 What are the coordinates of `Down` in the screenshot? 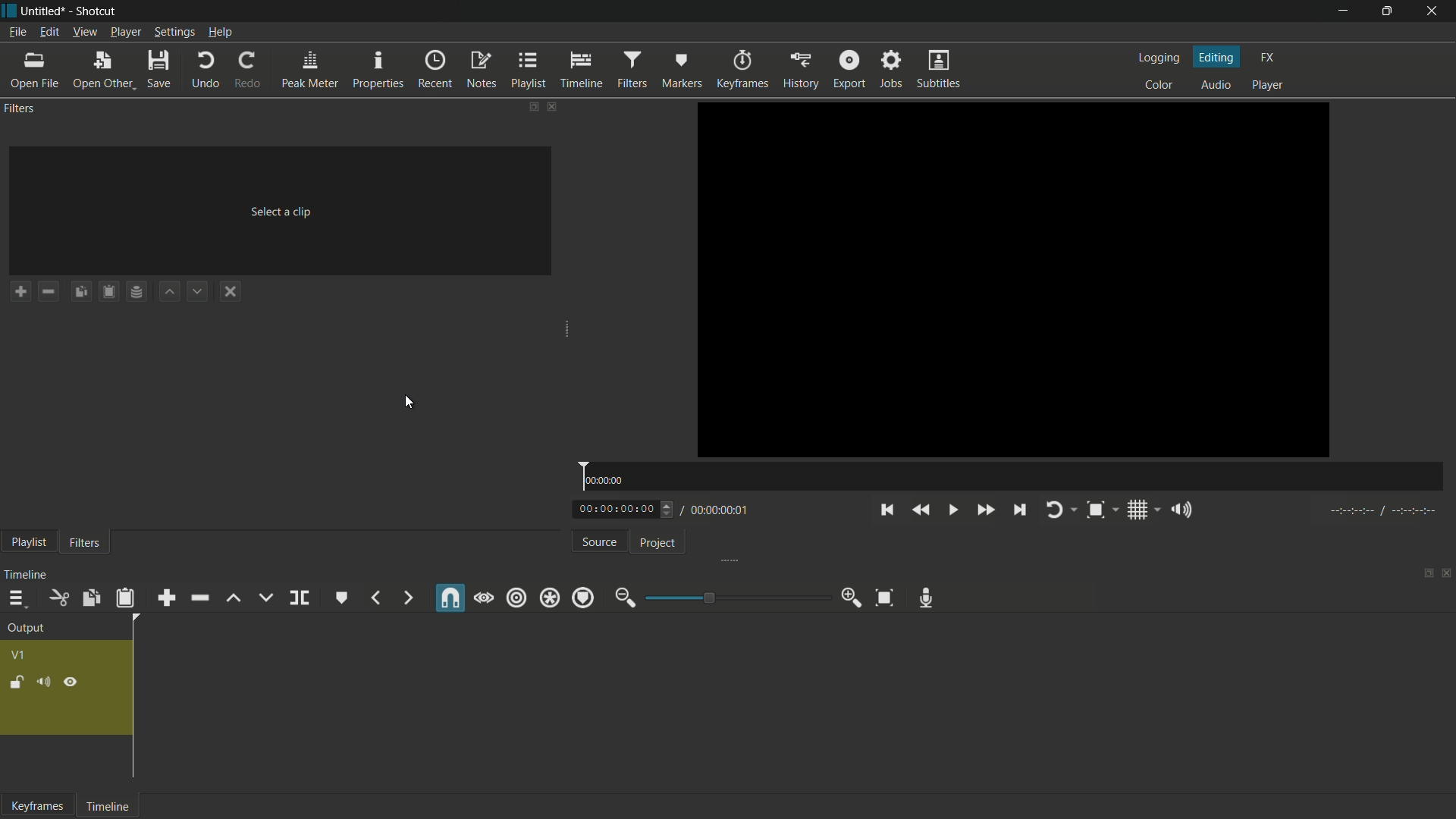 It's located at (334, 598).